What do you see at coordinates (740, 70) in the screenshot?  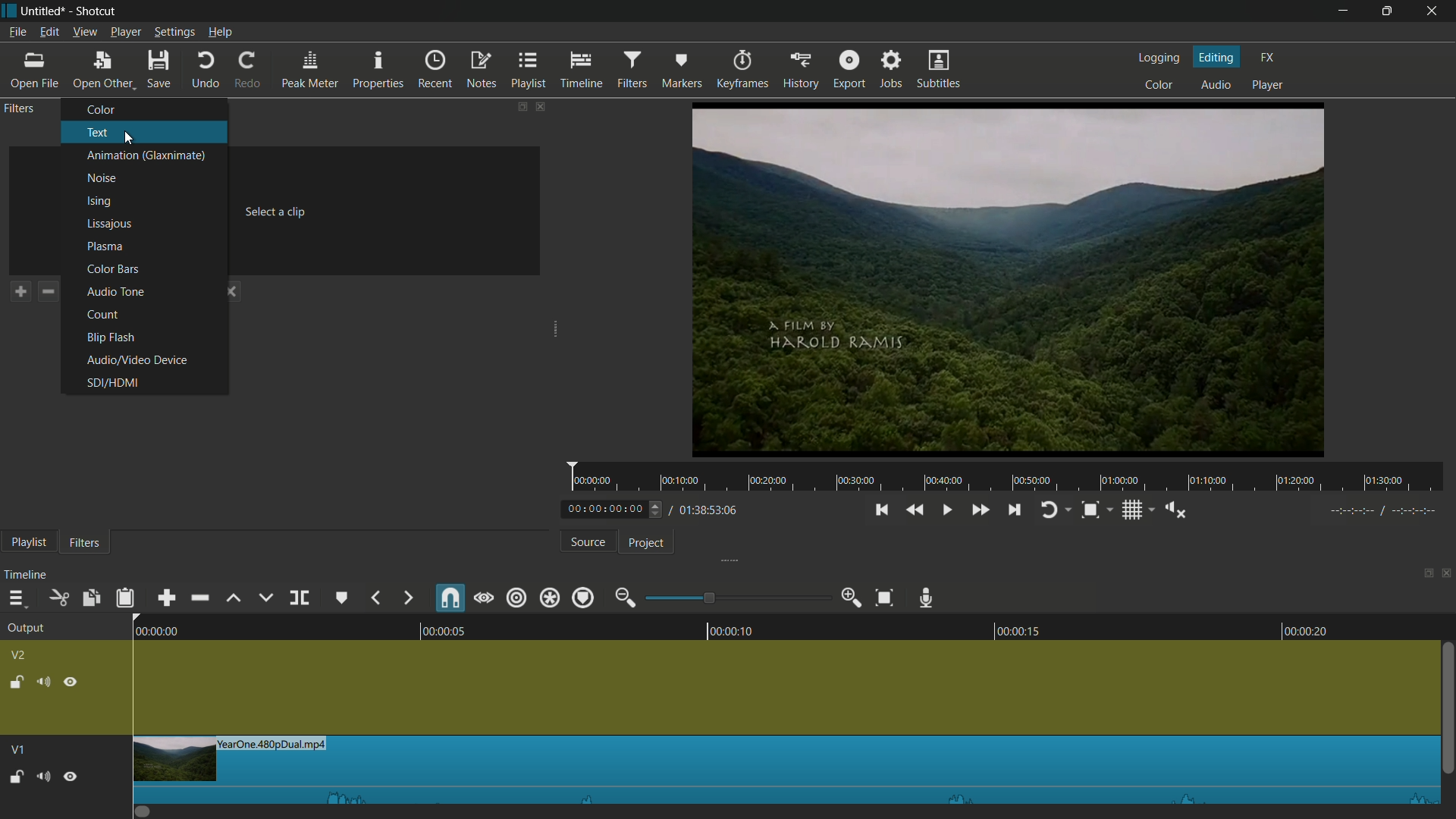 I see `keyframes` at bounding box center [740, 70].